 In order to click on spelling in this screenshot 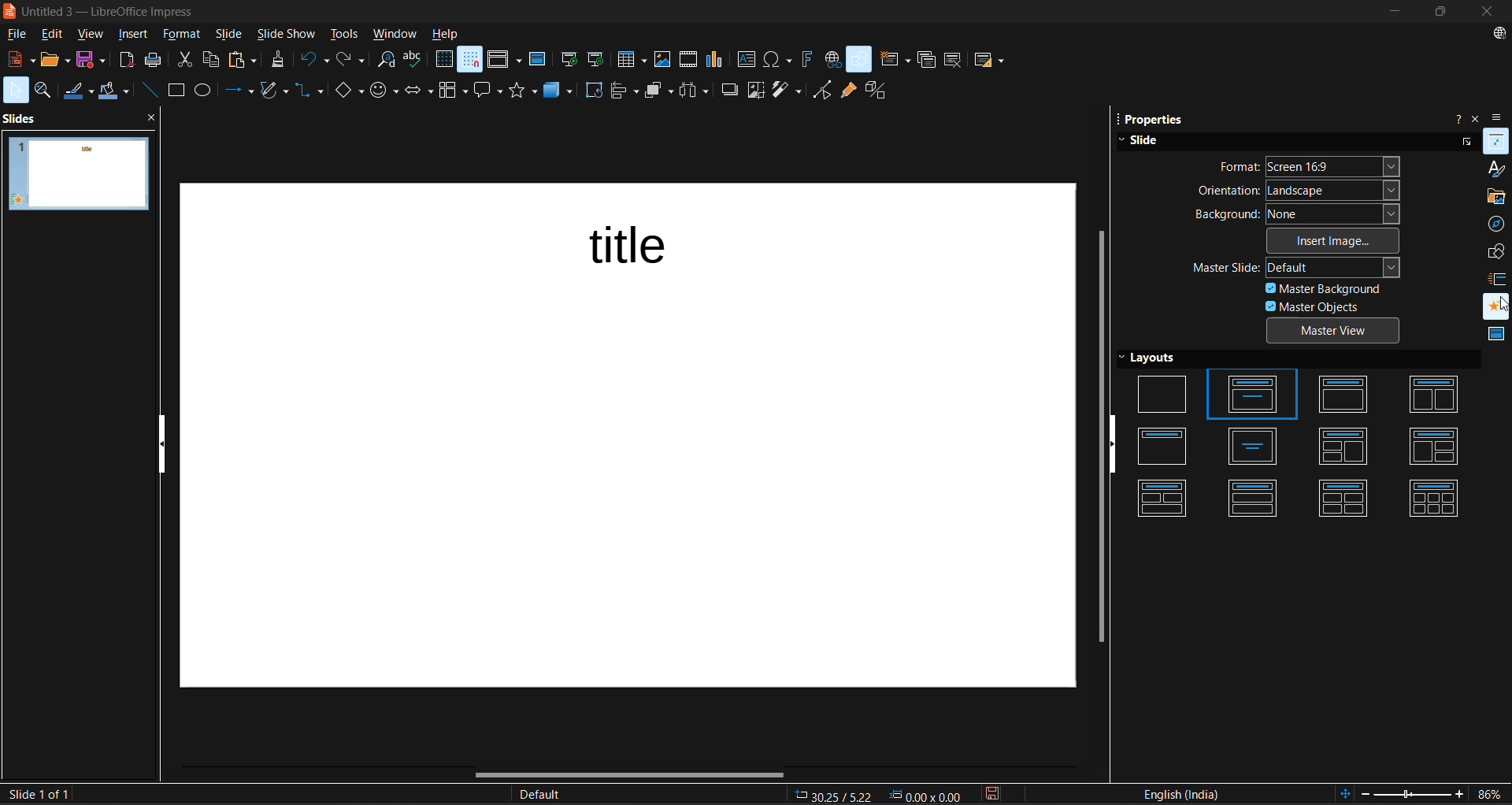, I will do `click(414, 60)`.